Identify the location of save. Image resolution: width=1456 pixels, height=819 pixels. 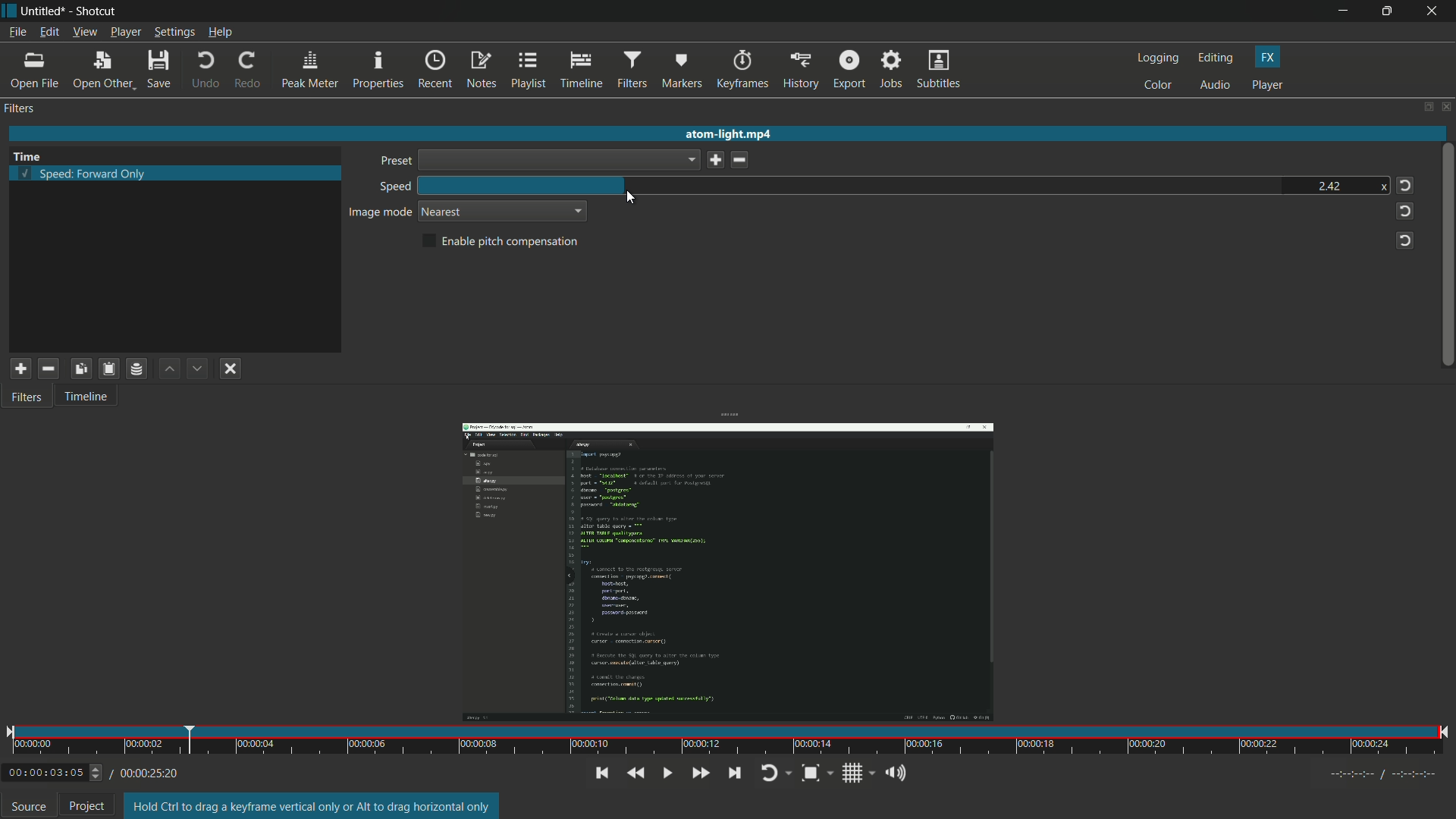
(161, 71).